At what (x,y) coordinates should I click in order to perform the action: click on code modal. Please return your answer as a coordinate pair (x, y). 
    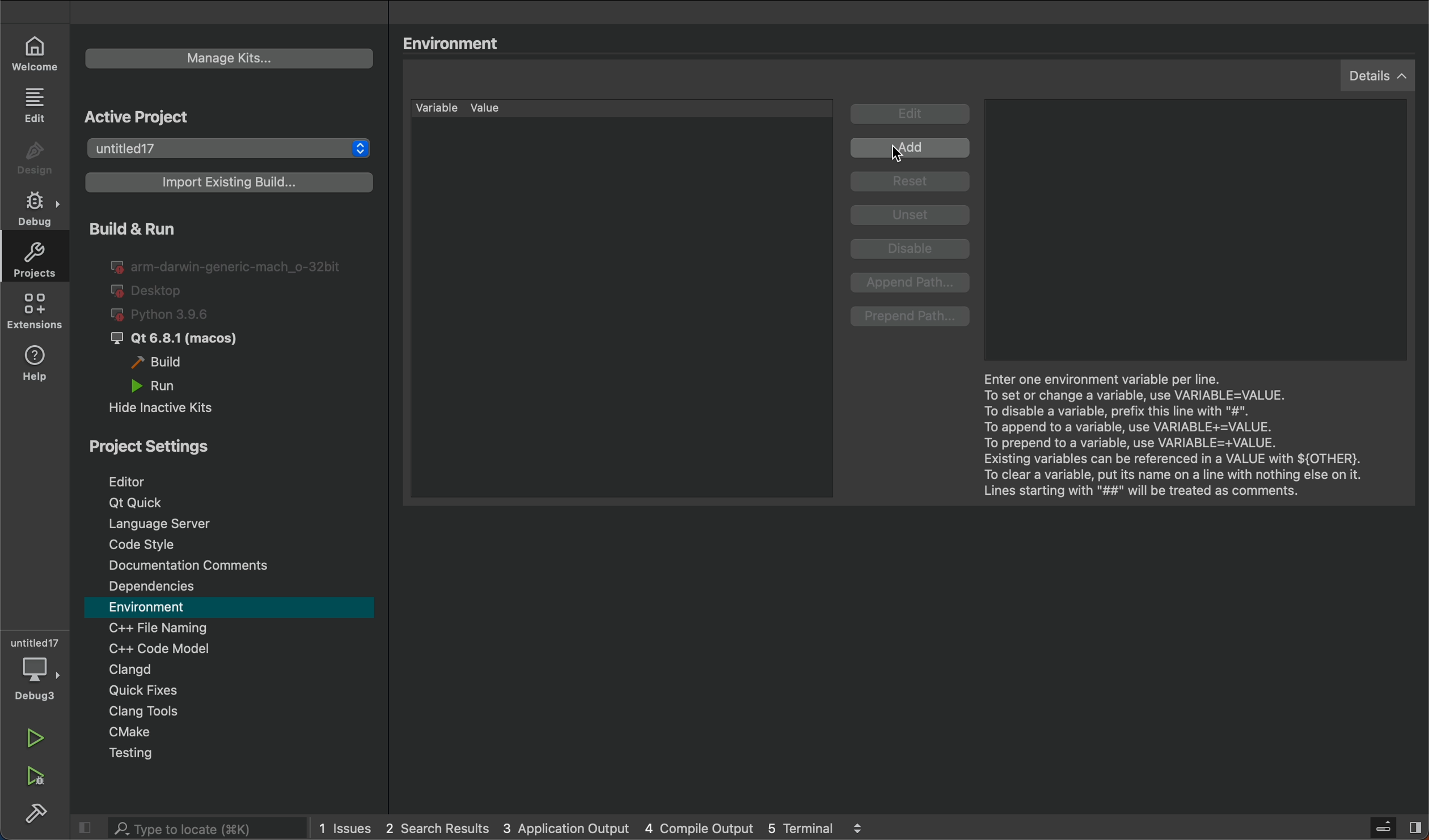
    Looking at the image, I should click on (232, 648).